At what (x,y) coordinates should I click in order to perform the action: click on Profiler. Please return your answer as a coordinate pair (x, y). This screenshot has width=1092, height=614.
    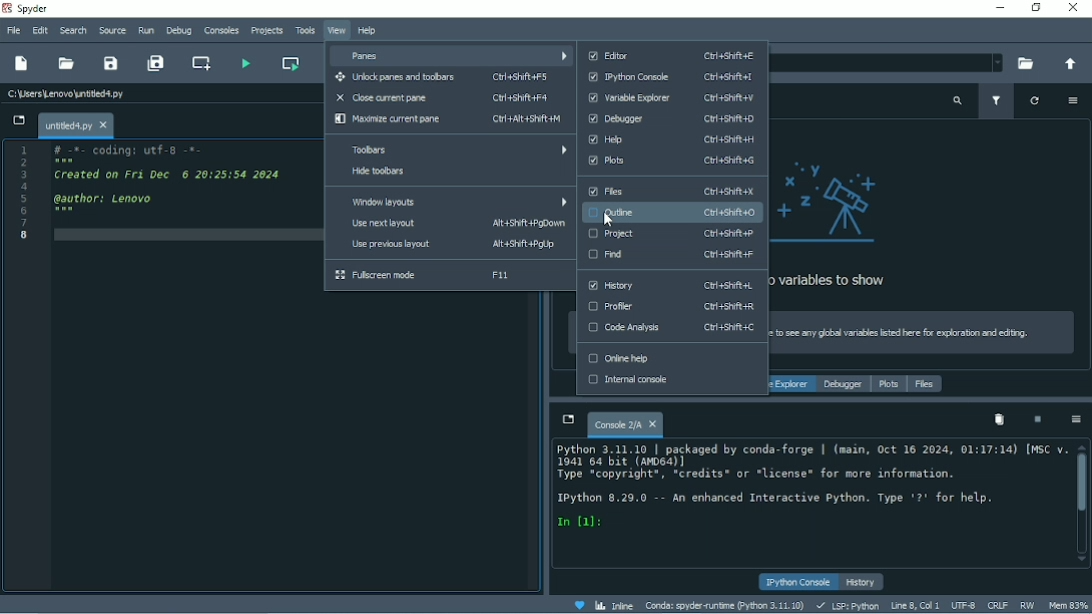
    Looking at the image, I should click on (672, 307).